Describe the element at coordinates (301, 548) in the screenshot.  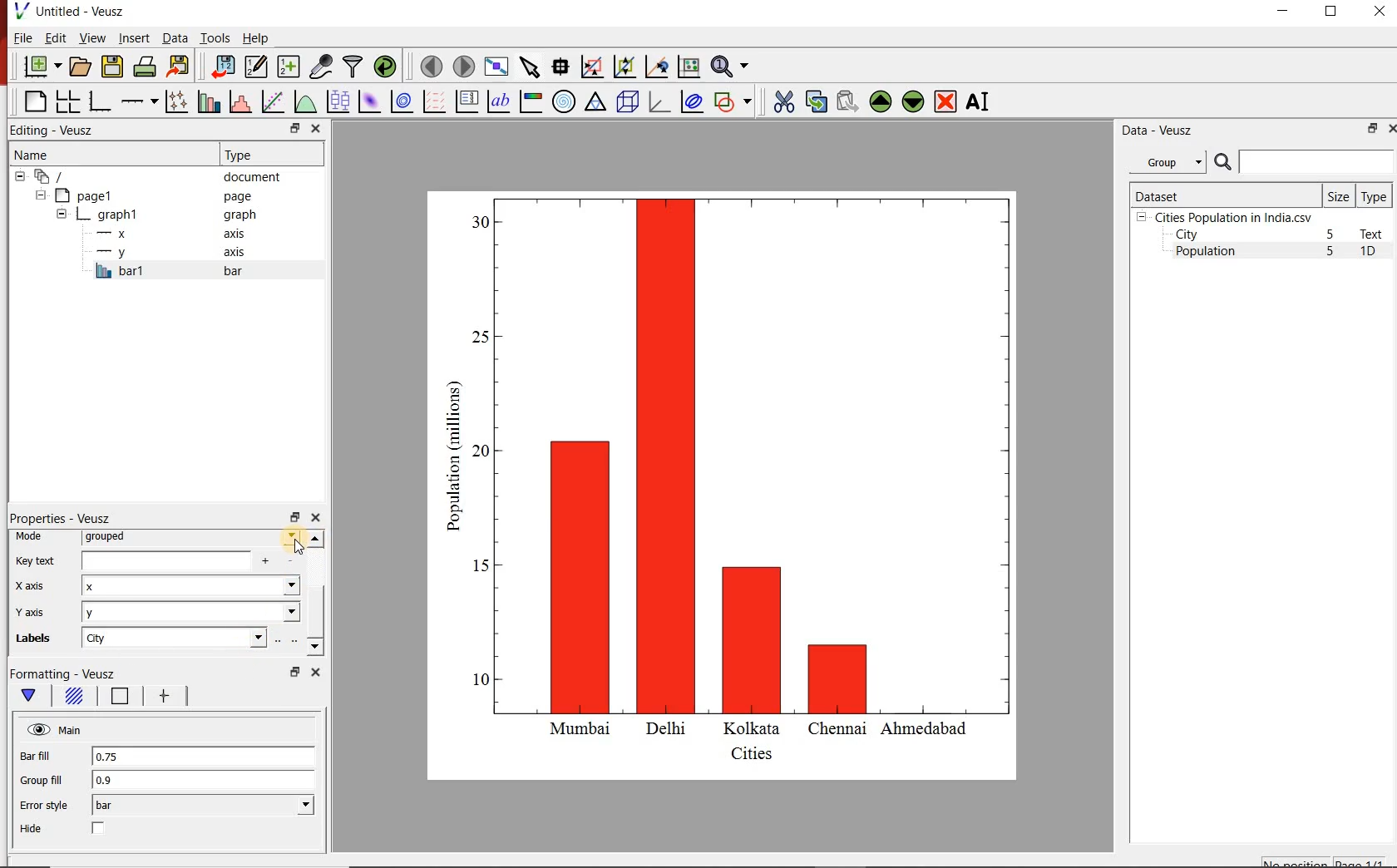
I see `cursor` at that location.